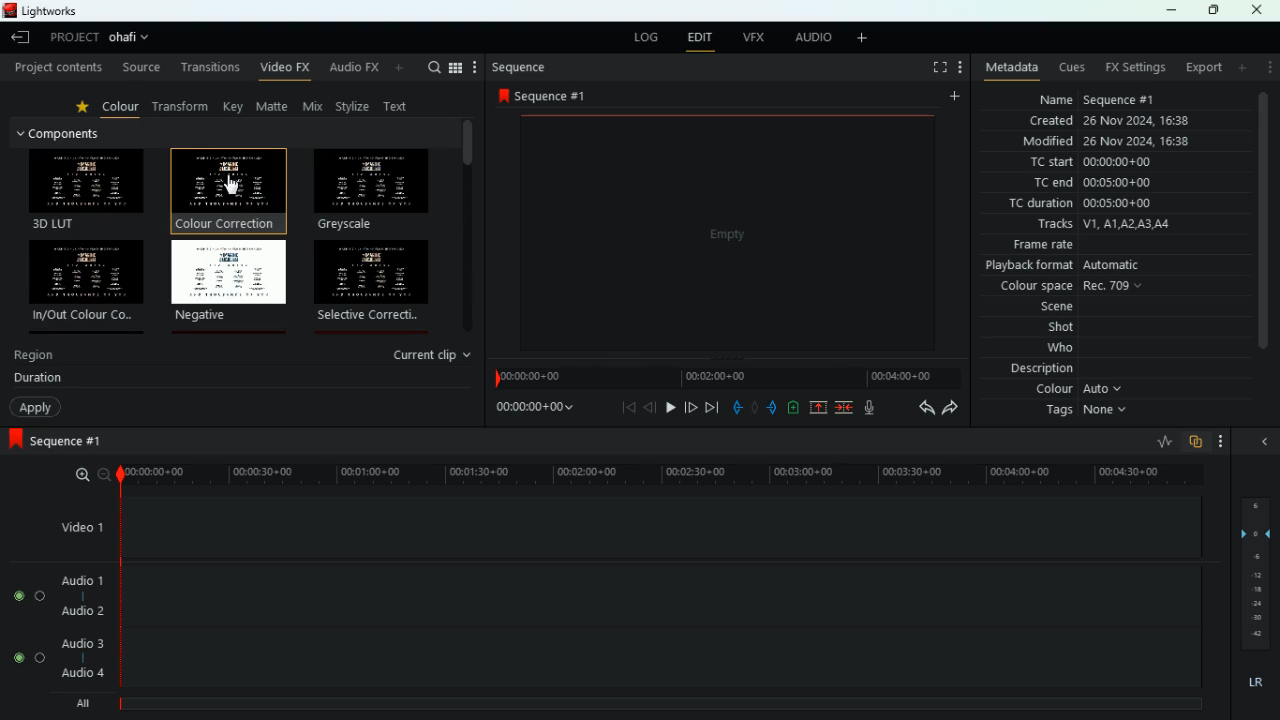 Image resolution: width=1280 pixels, height=720 pixels. I want to click on play, so click(671, 407).